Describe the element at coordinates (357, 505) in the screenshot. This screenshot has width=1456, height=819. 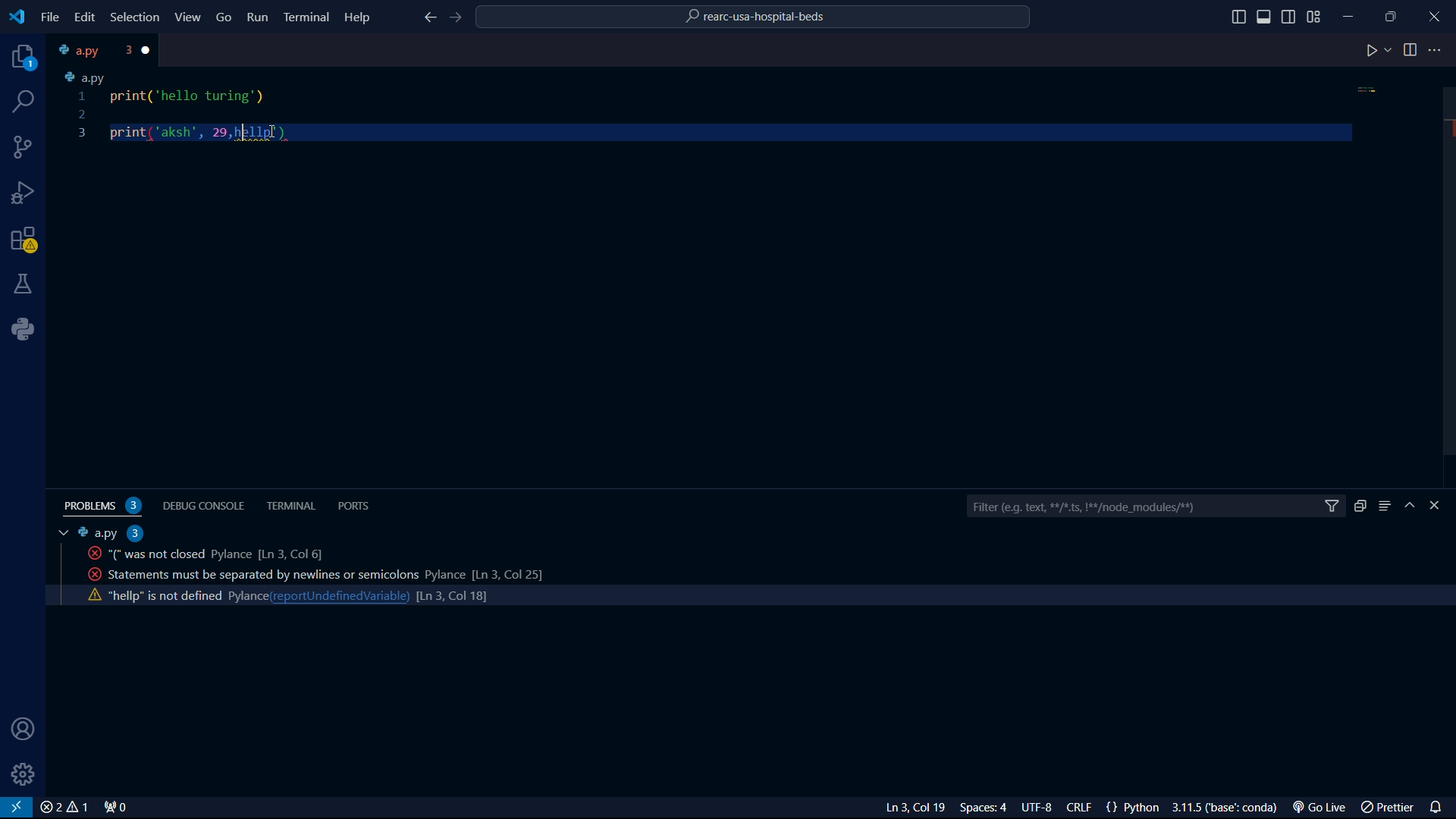
I see `ports` at that location.